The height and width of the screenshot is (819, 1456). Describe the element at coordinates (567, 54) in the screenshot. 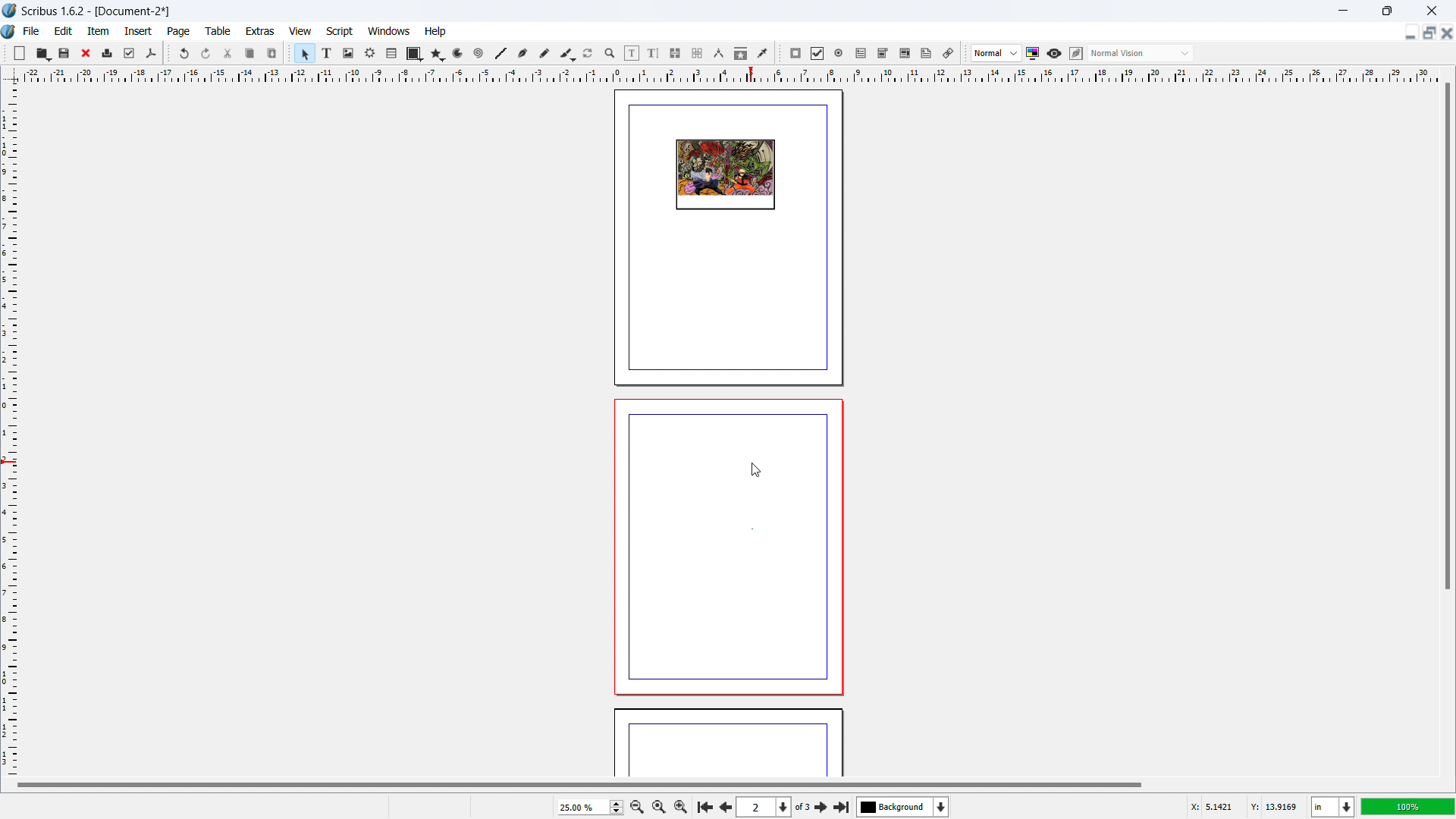

I see `caligraphic line` at that location.